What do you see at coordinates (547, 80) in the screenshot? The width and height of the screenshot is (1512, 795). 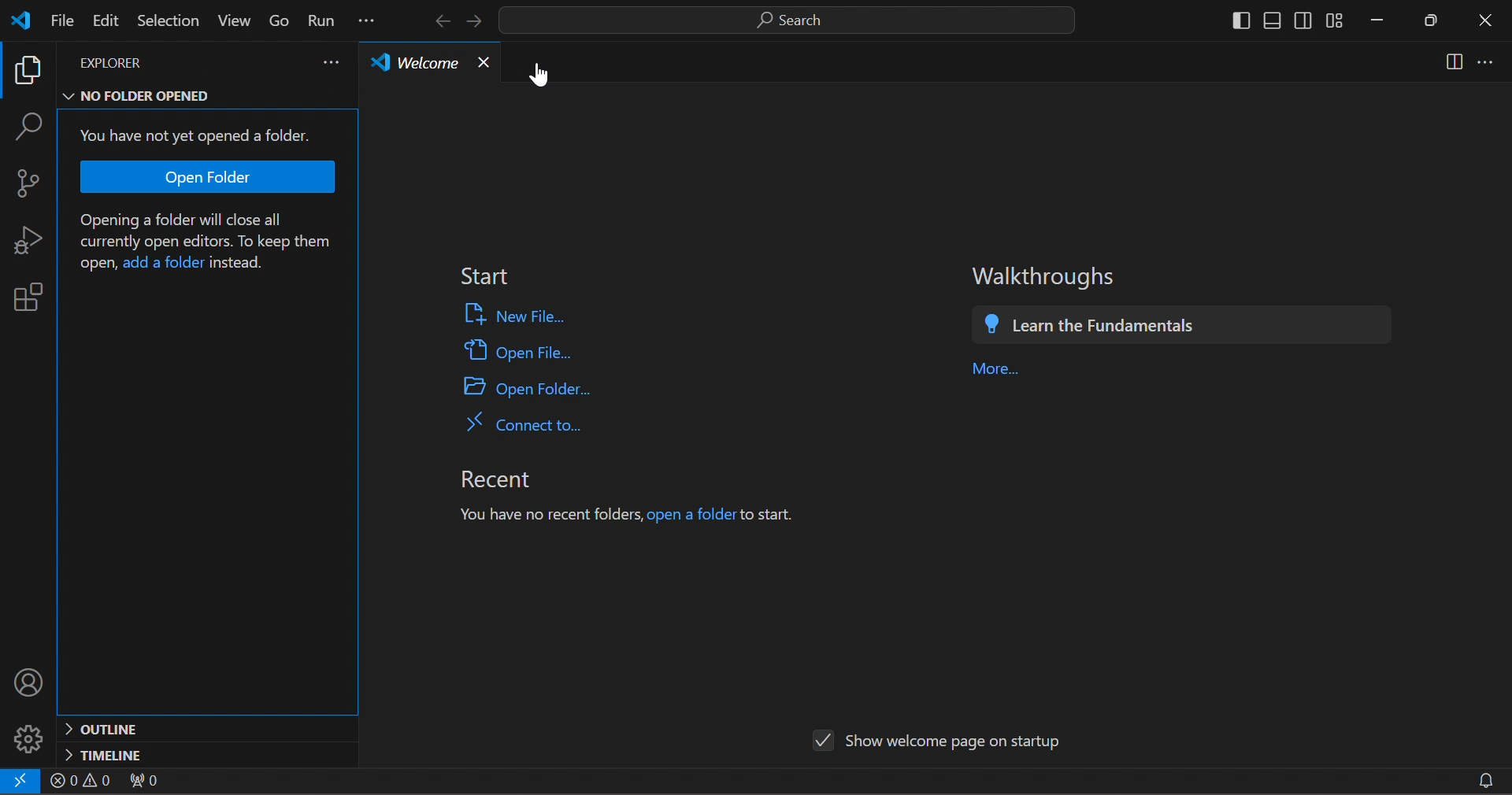 I see `mouse pointer` at bounding box center [547, 80].